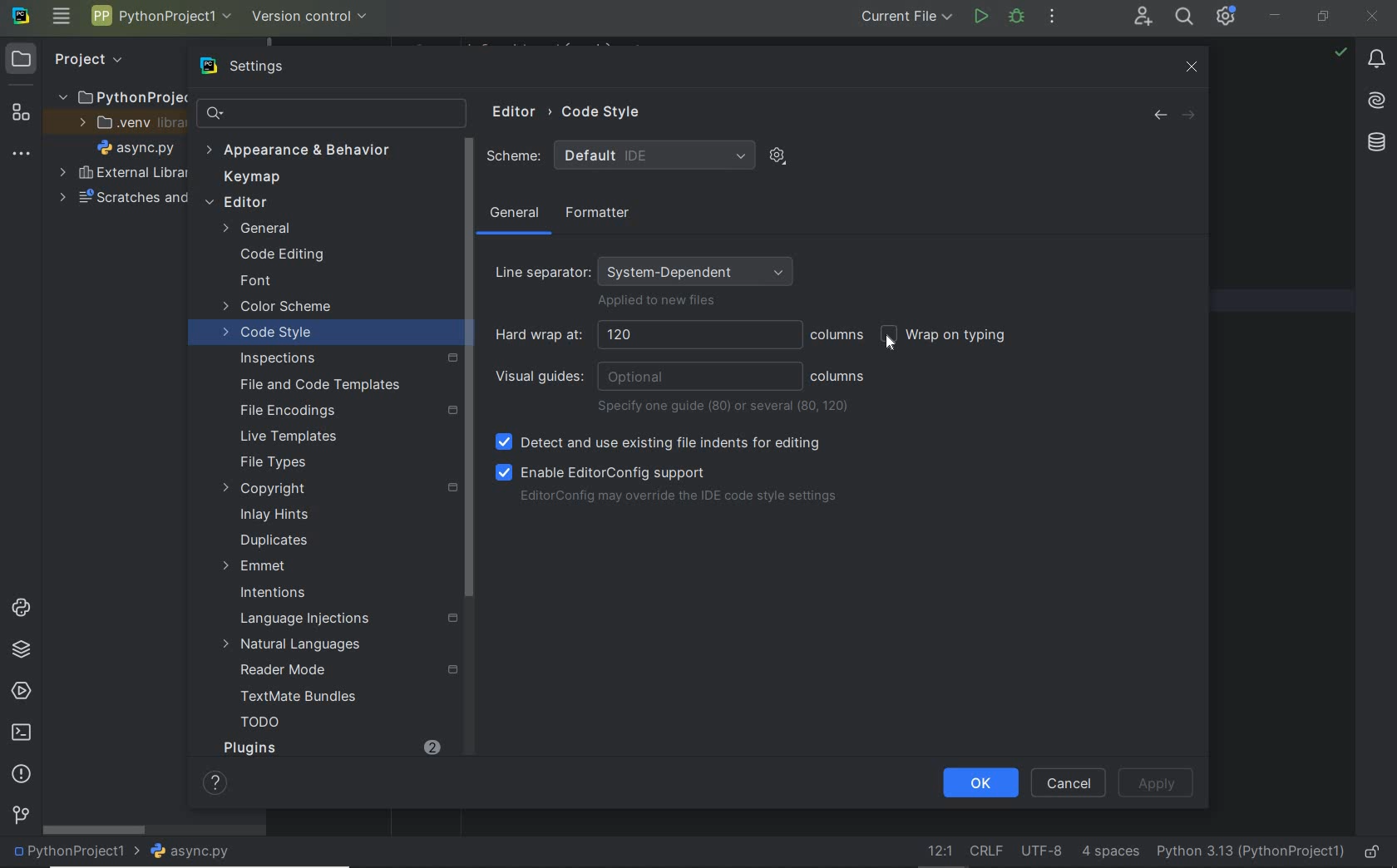  I want to click on current file, so click(906, 17).